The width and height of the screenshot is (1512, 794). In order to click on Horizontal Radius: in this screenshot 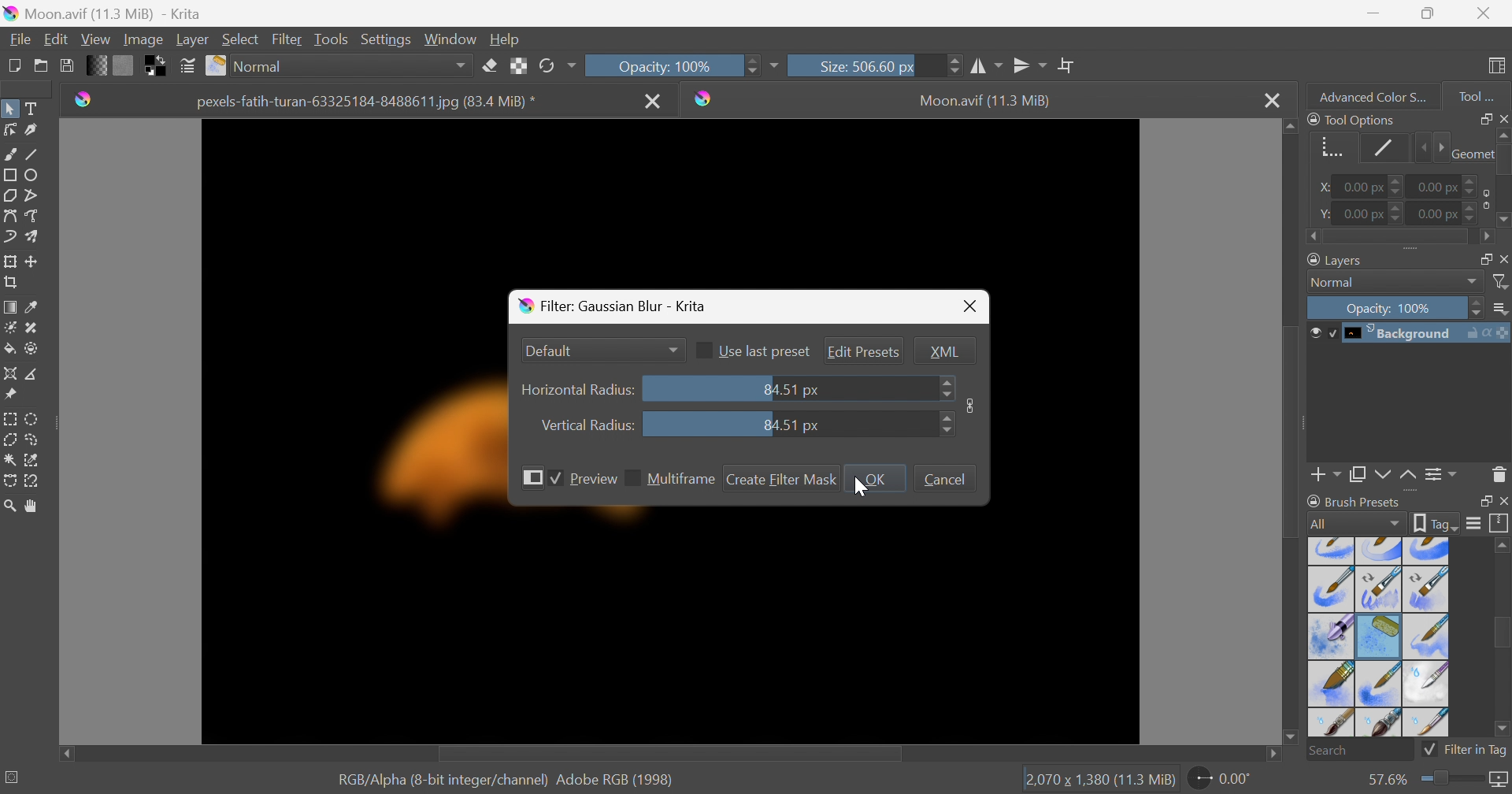, I will do `click(579, 391)`.